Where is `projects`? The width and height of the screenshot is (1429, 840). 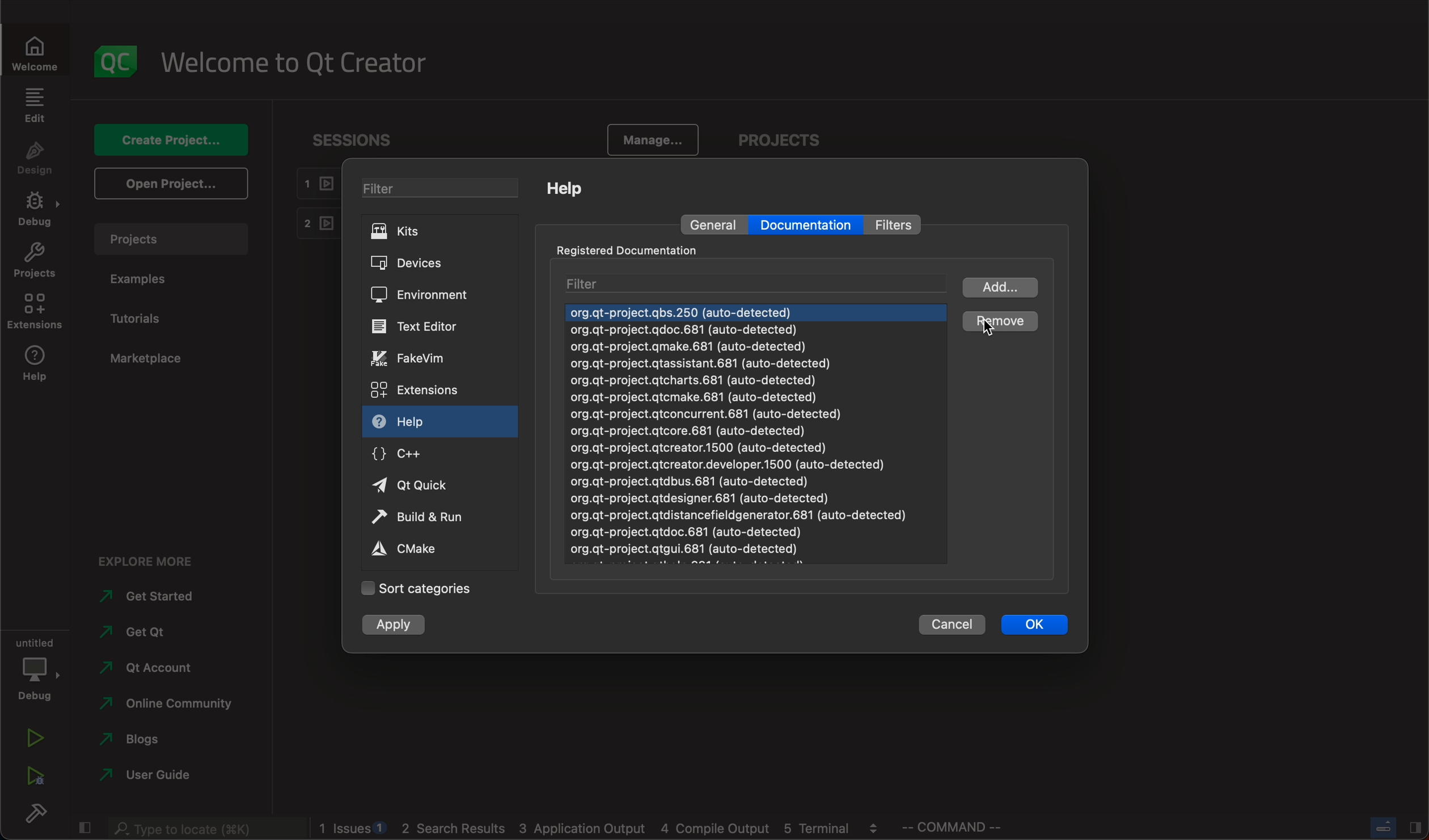 projects is located at coordinates (788, 141).